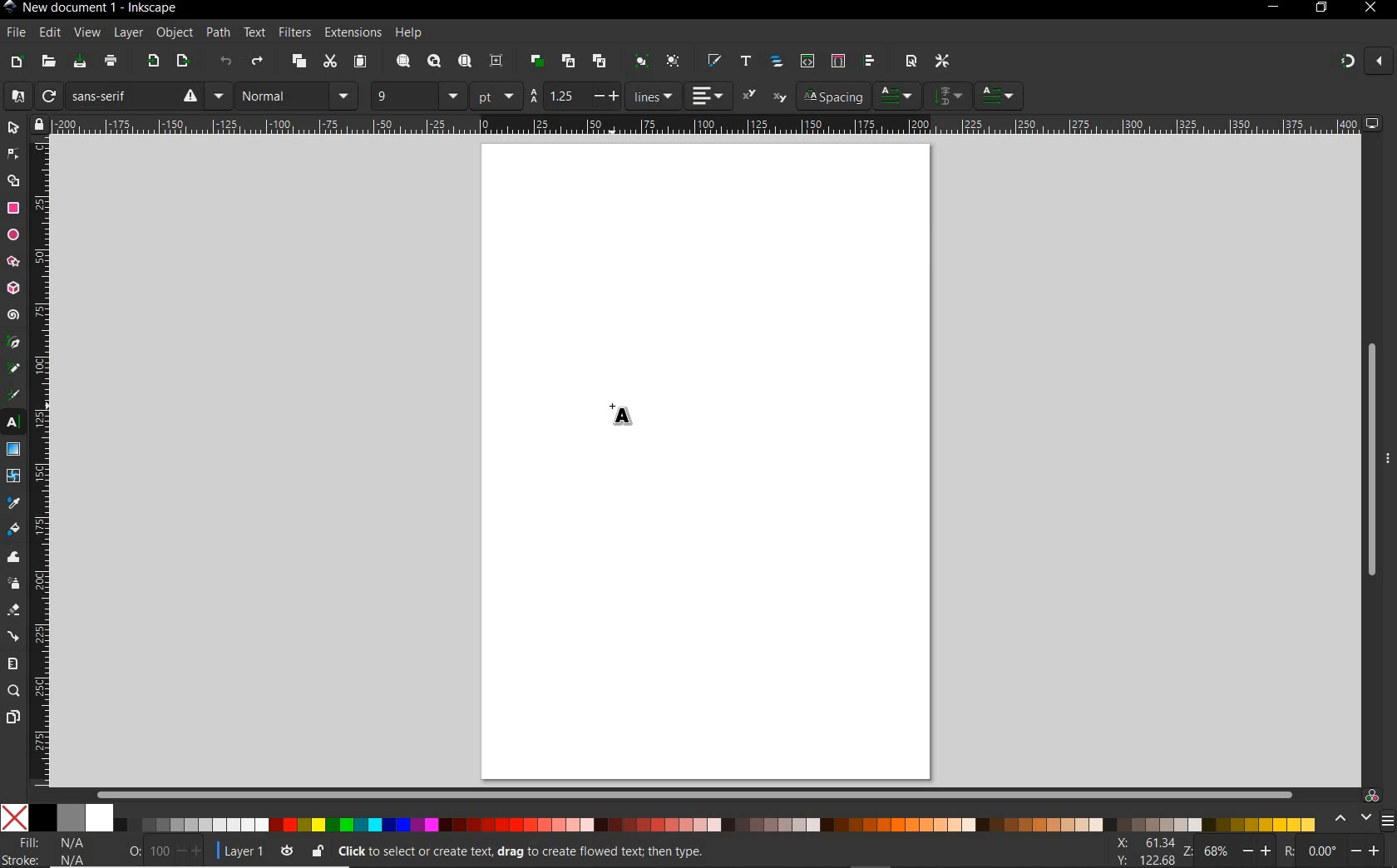  Describe the element at coordinates (37, 124) in the screenshot. I see `lock` at that location.